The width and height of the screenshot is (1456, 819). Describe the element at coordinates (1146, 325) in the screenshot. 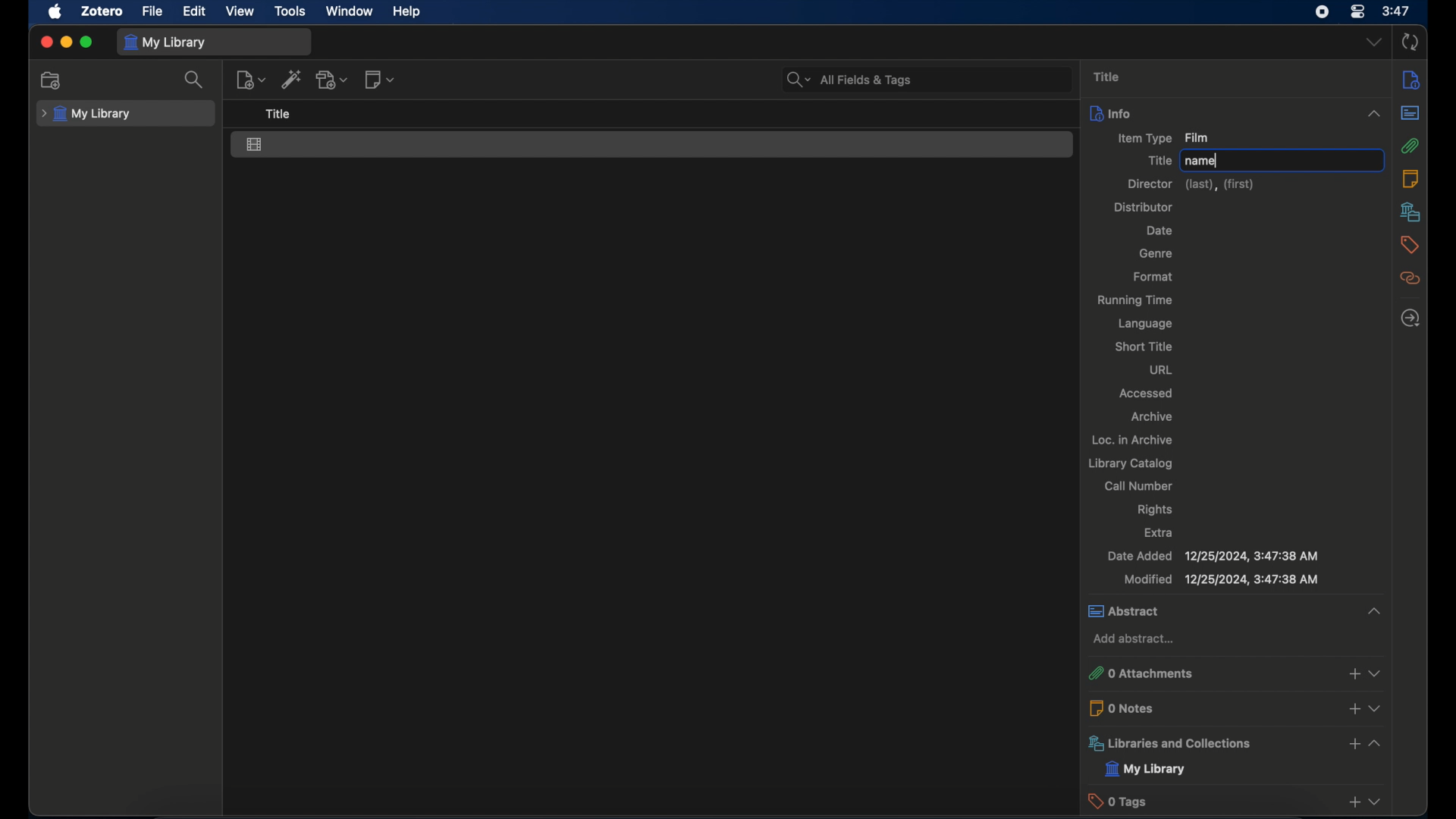

I see `language` at that location.